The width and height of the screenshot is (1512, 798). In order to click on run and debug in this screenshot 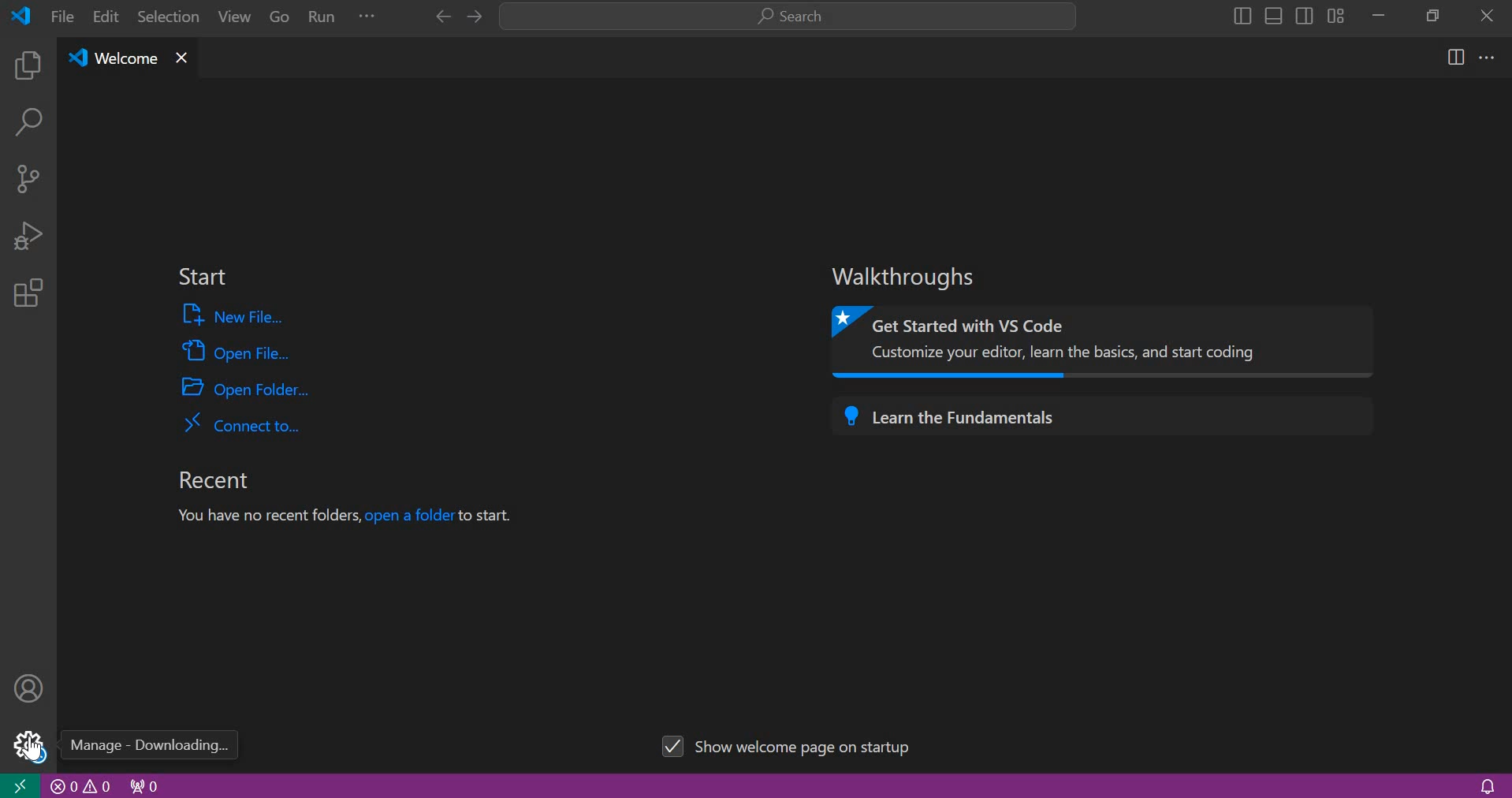, I will do `click(28, 235)`.